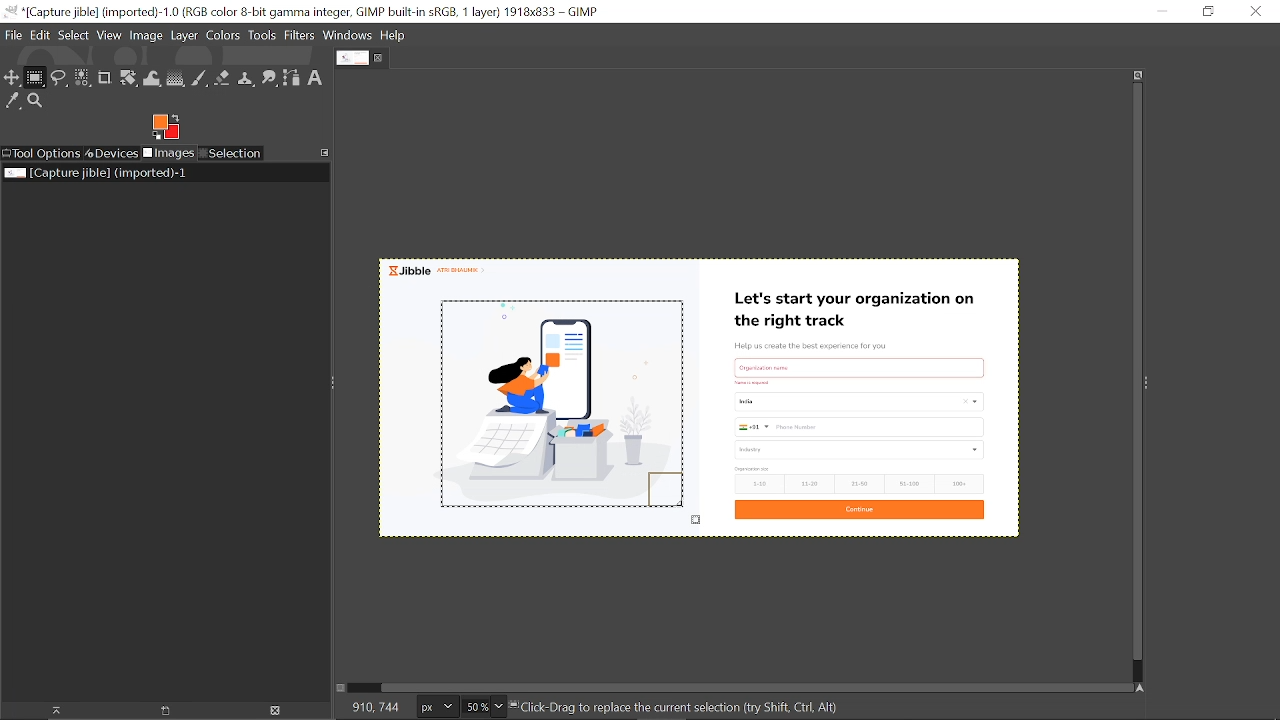 This screenshot has height=720, width=1280. What do you see at coordinates (50, 710) in the screenshot?
I see `Raise display for this image` at bounding box center [50, 710].